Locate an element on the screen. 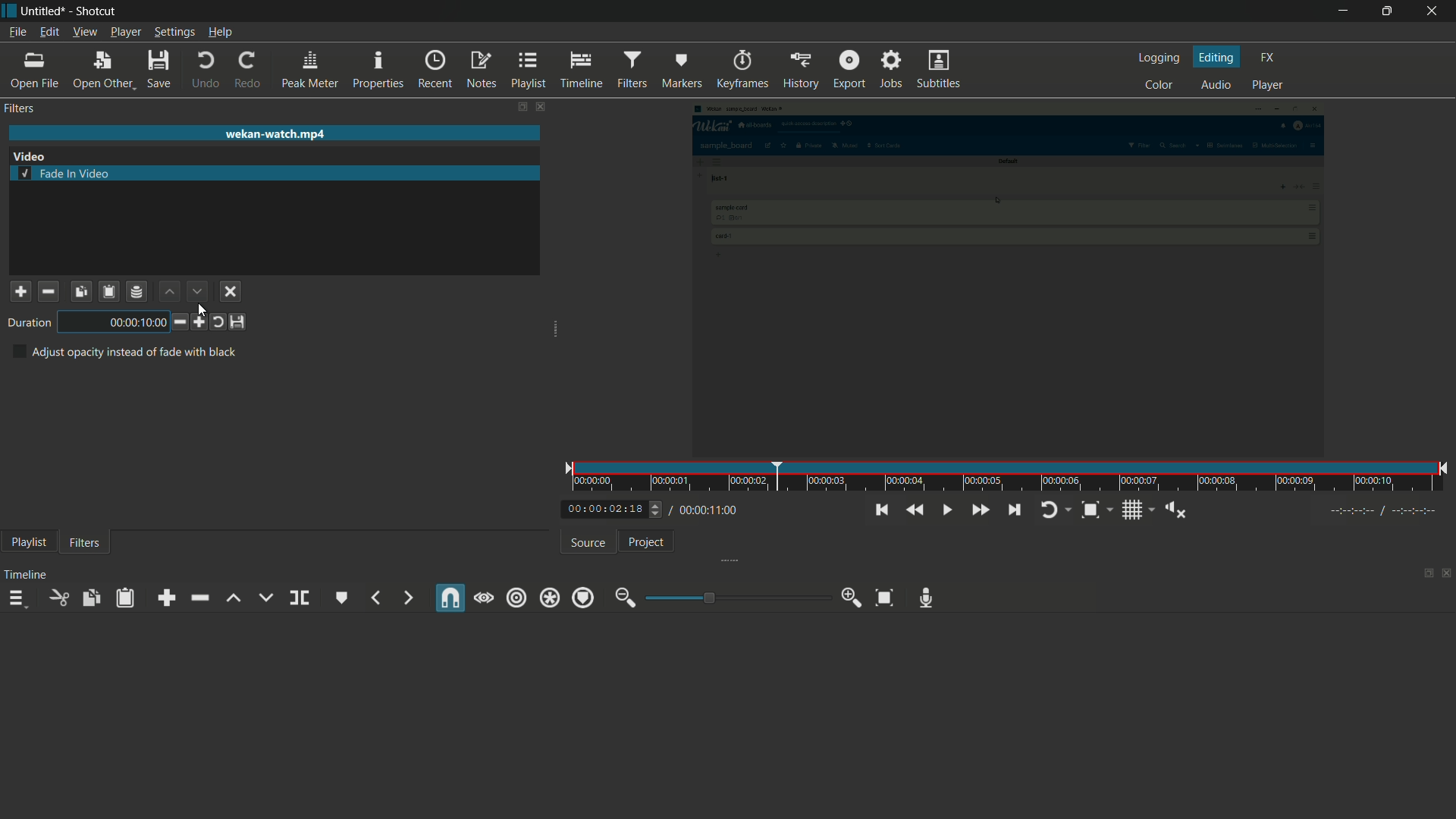 Image resolution: width=1456 pixels, height=819 pixels. current time is located at coordinates (599, 510).